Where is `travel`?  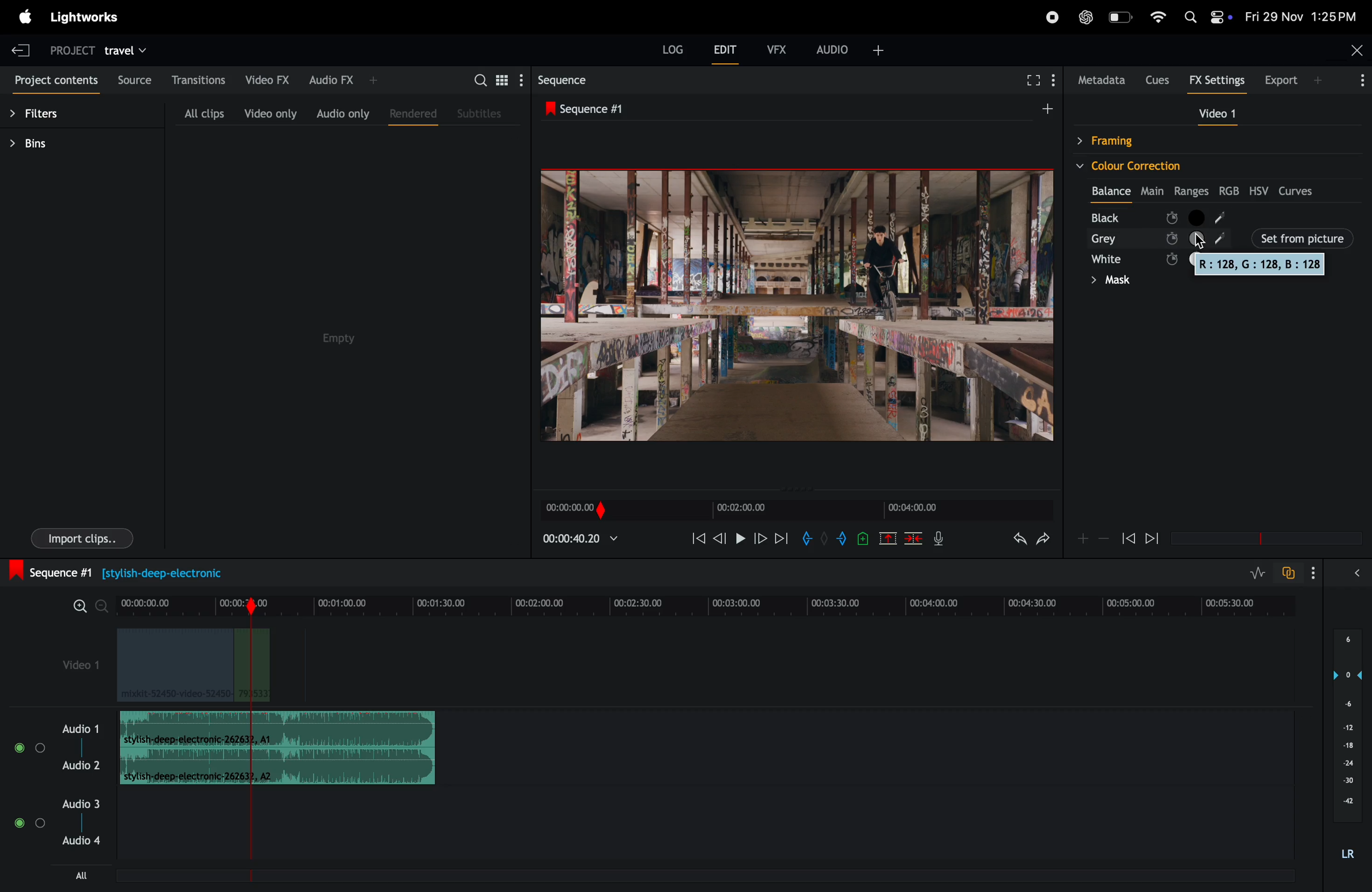 travel is located at coordinates (128, 50).